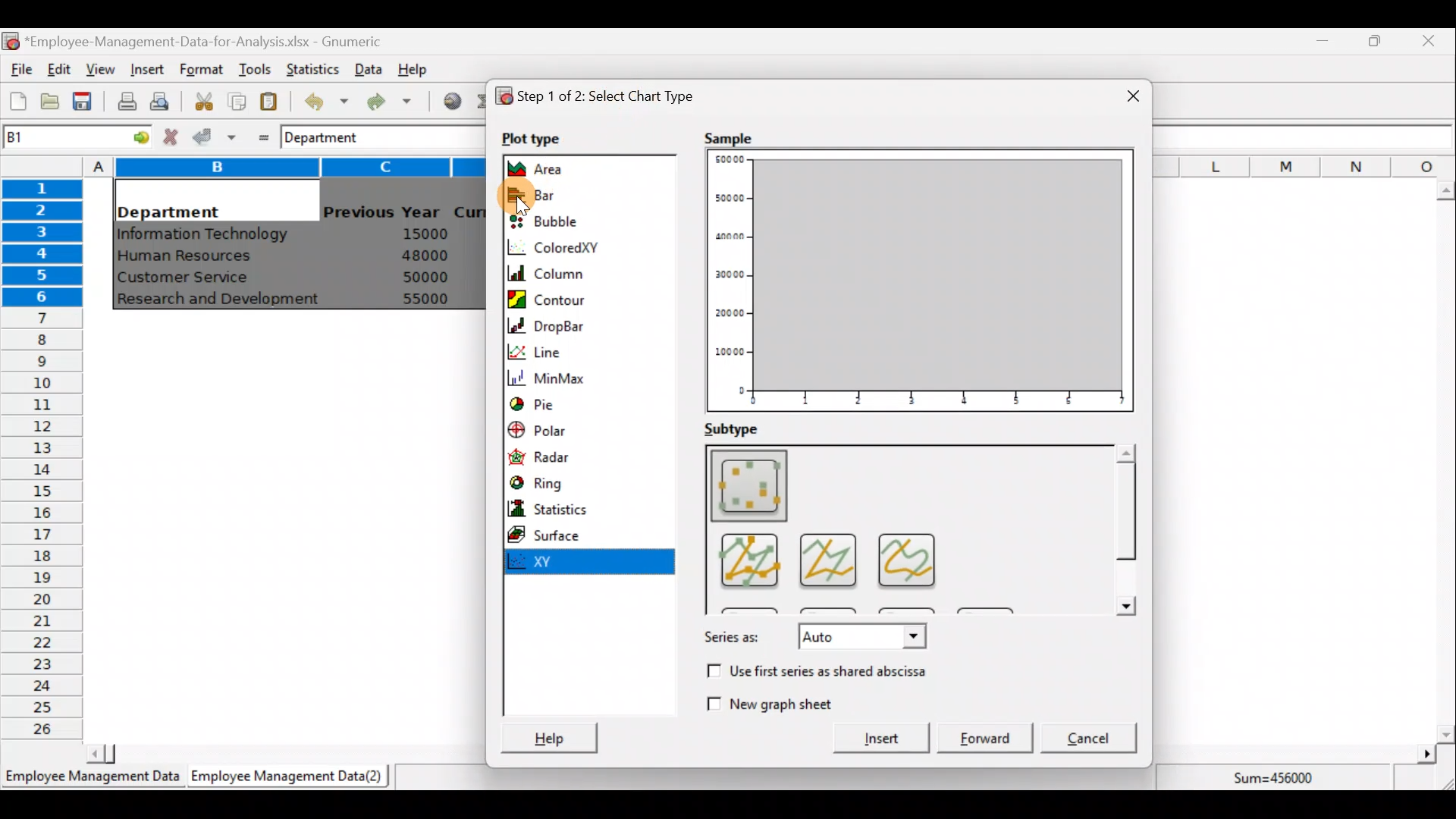 This screenshot has width=1456, height=819. Describe the element at coordinates (429, 277) in the screenshot. I see `50000` at that location.